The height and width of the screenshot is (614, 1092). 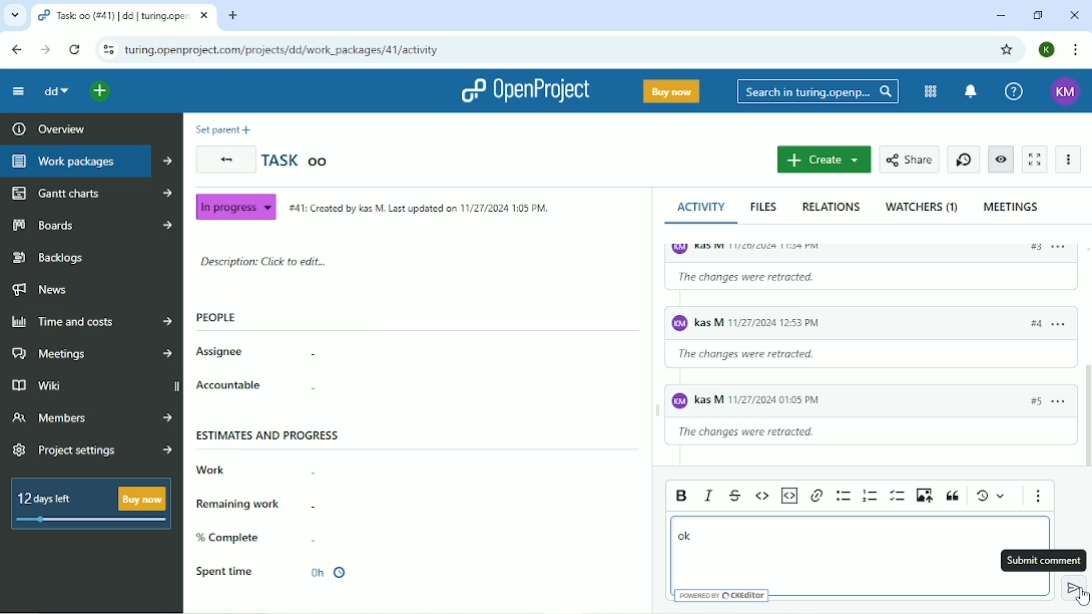 What do you see at coordinates (1033, 251) in the screenshot?
I see `#2` at bounding box center [1033, 251].